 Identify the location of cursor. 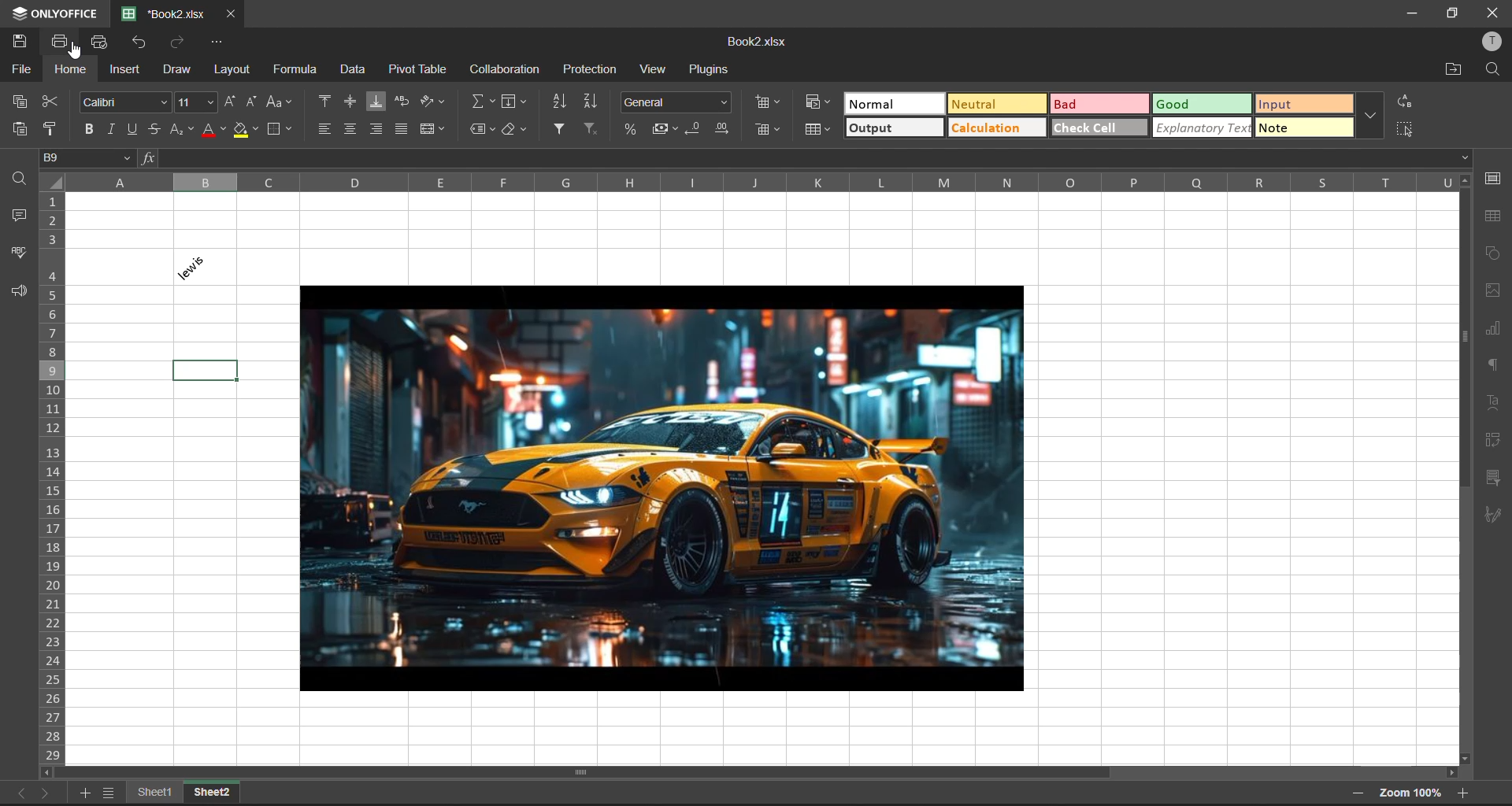
(80, 53).